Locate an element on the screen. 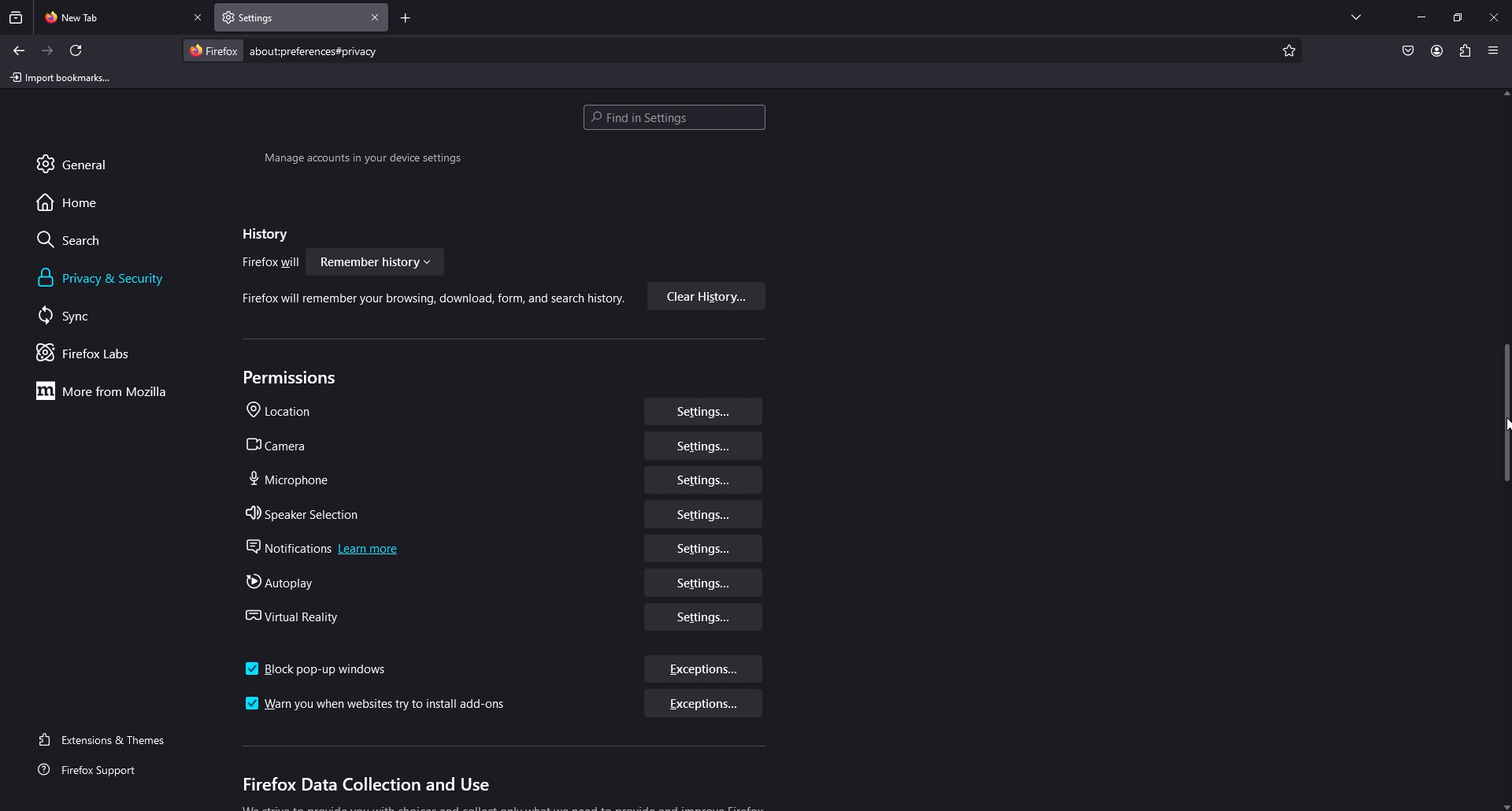 This screenshot has height=811, width=1512. save to pocket is located at coordinates (1407, 52).